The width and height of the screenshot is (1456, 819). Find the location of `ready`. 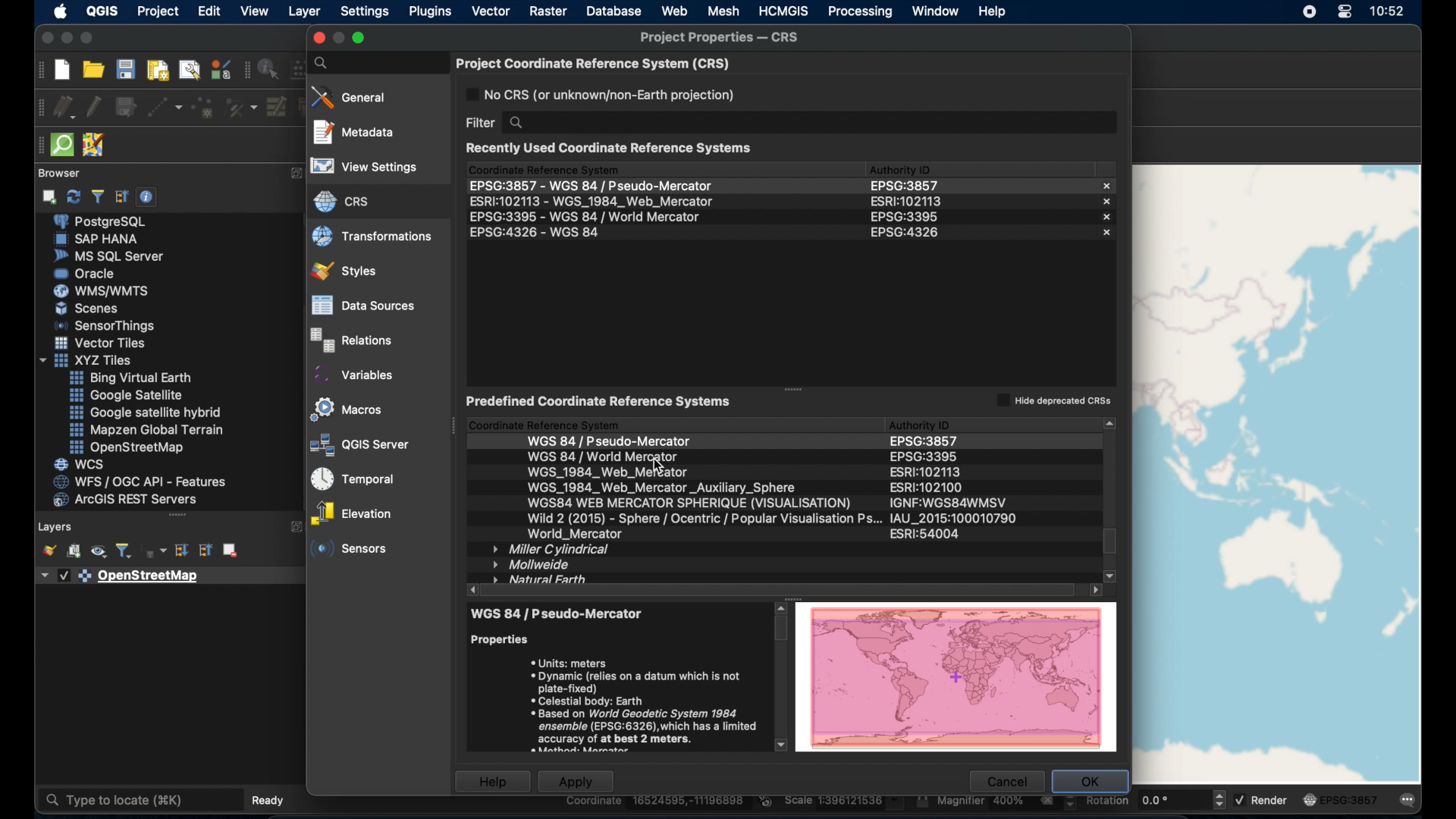

ready is located at coordinates (266, 799).